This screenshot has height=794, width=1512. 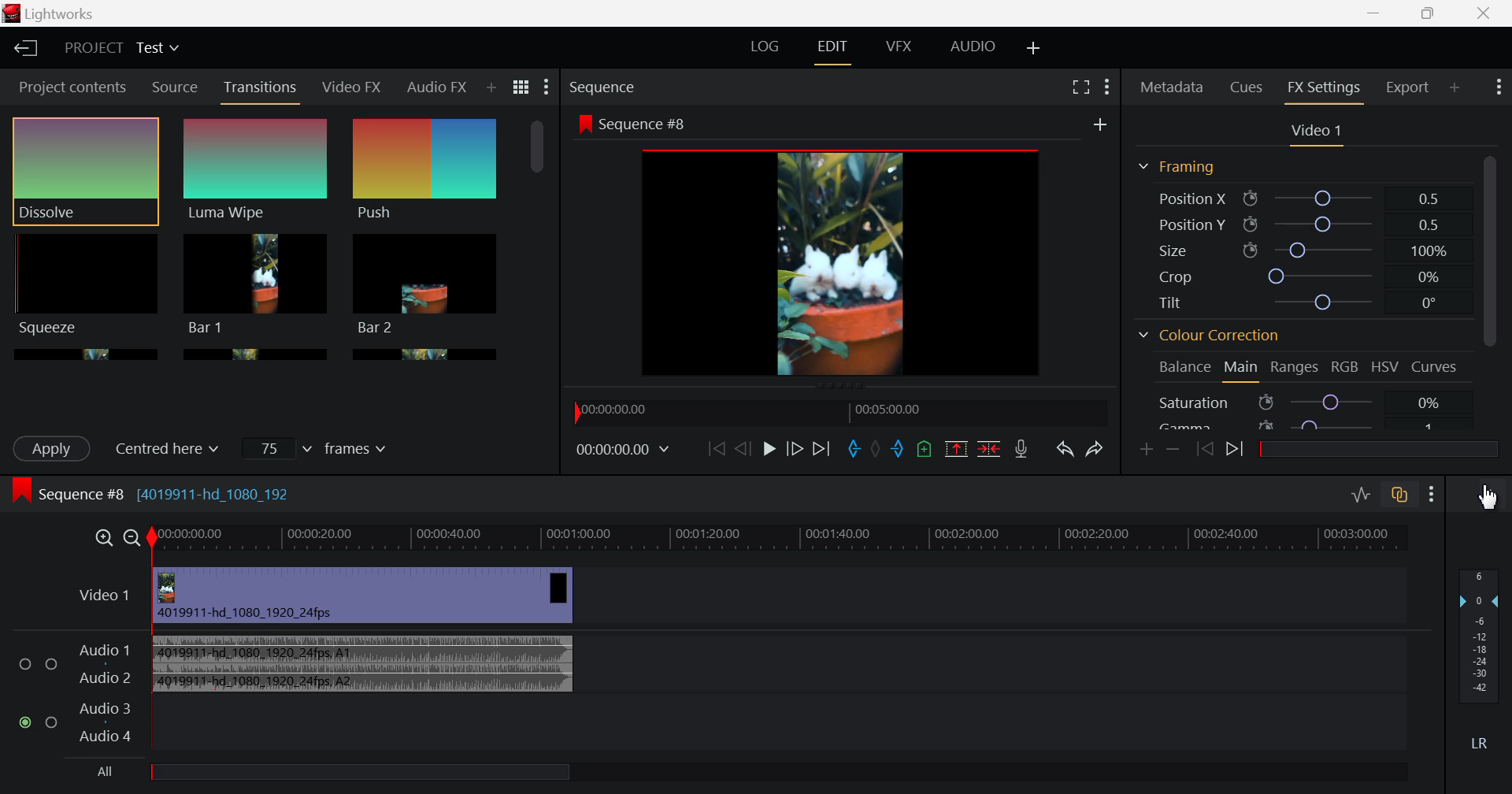 I want to click on Dissolve, so click(x=85, y=172).